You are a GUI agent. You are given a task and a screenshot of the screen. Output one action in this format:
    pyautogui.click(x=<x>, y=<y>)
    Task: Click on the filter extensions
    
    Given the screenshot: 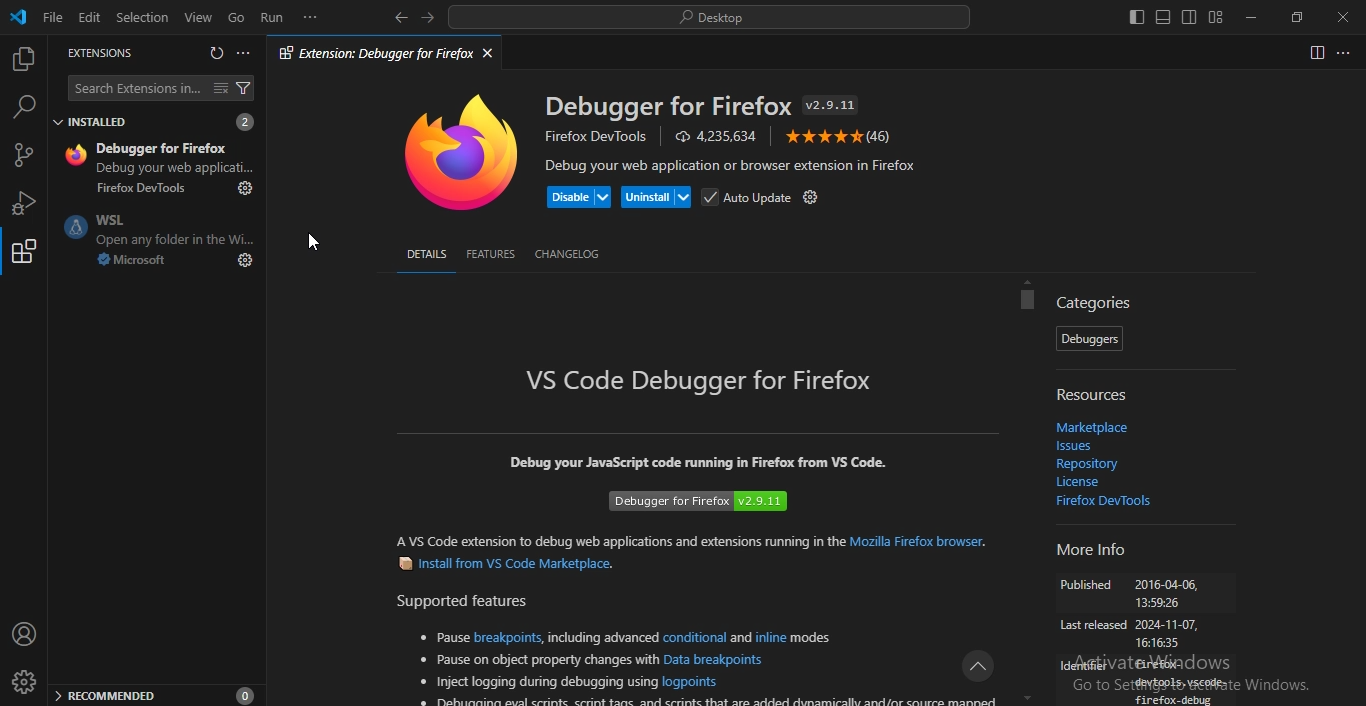 What is the action you would take?
    pyautogui.click(x=246, y=88)
    